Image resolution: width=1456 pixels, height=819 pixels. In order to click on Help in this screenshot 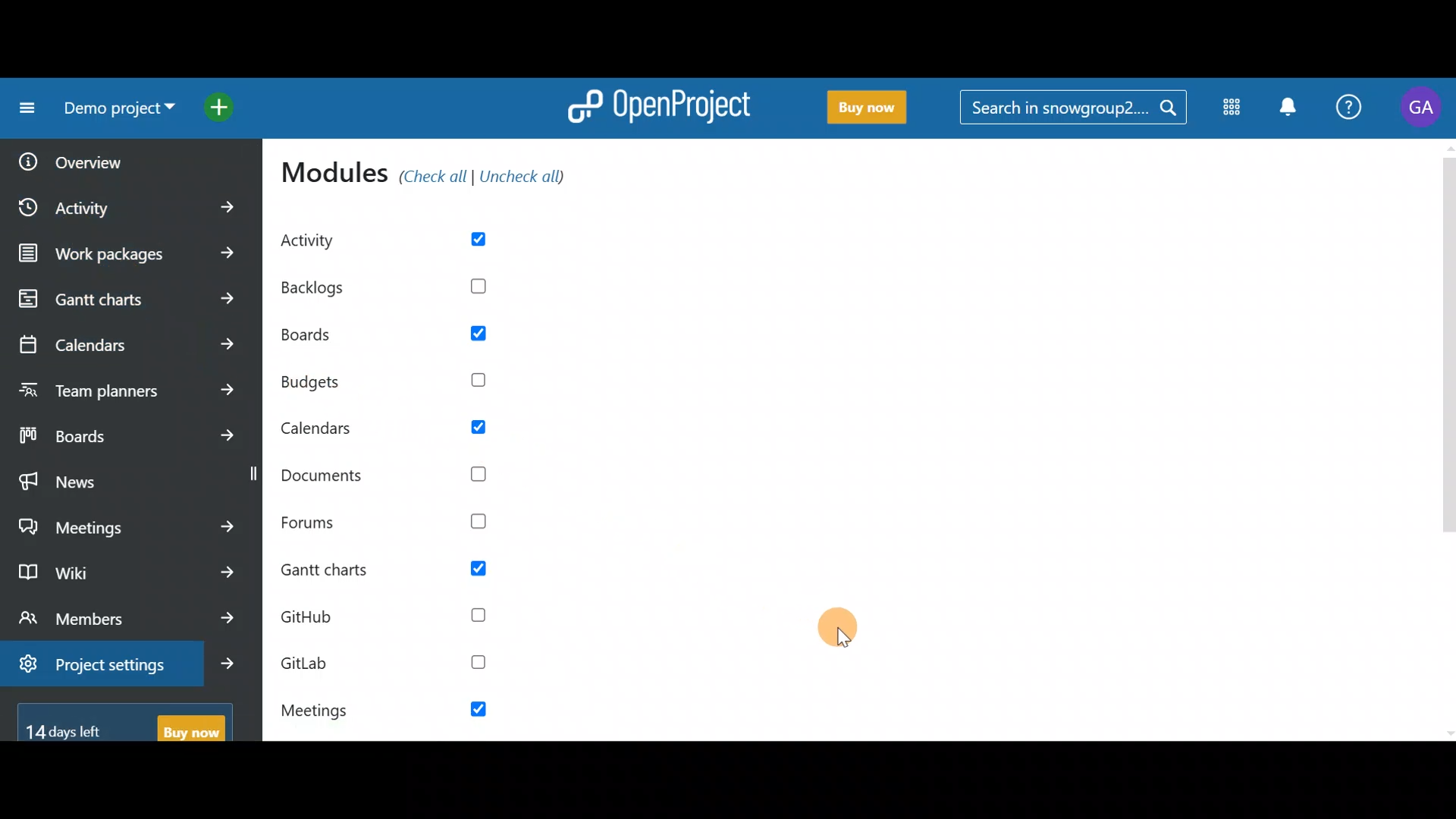, I will do `click(1347, 111)`.